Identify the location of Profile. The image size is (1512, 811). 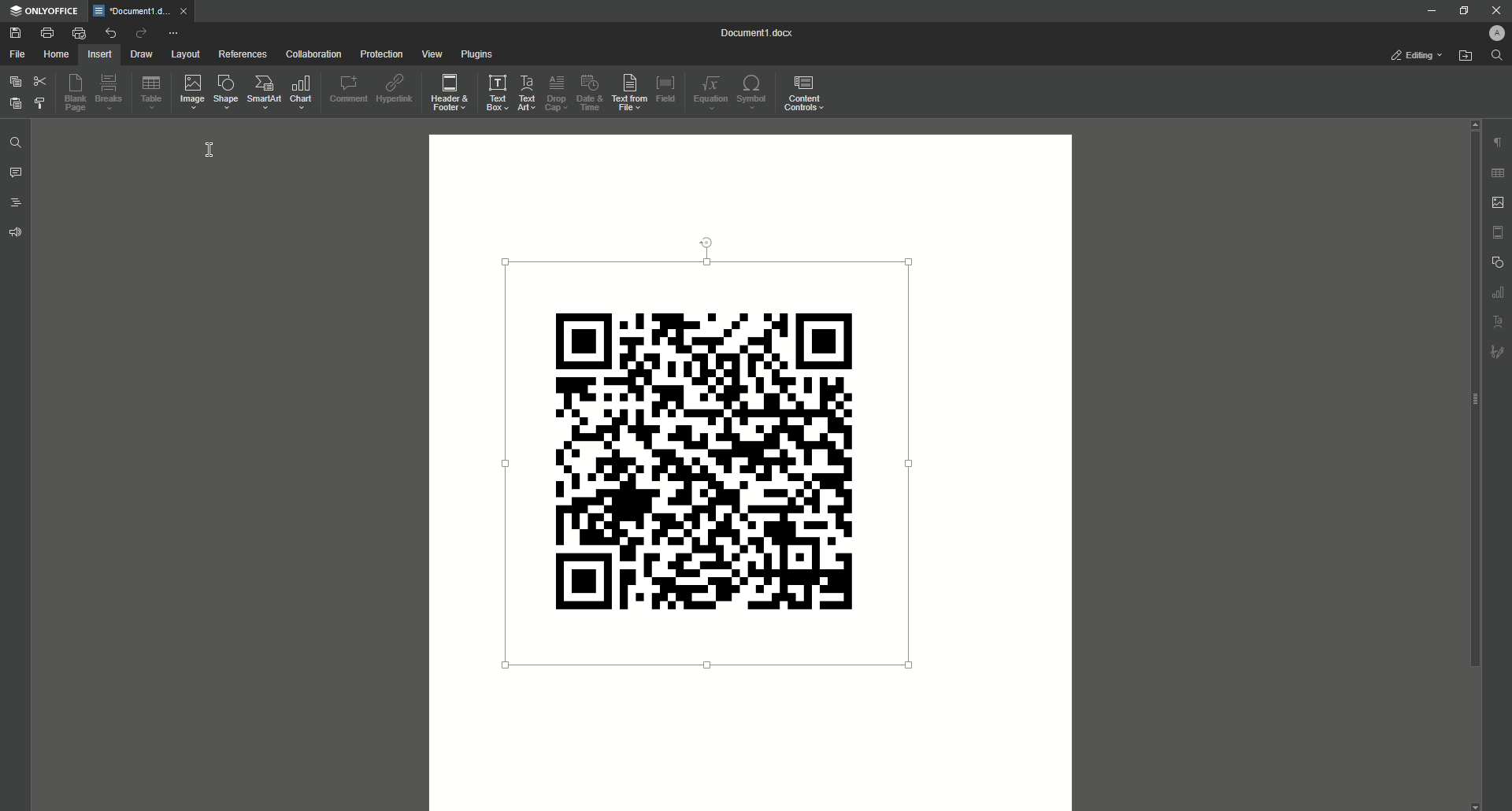
(1494, 33).